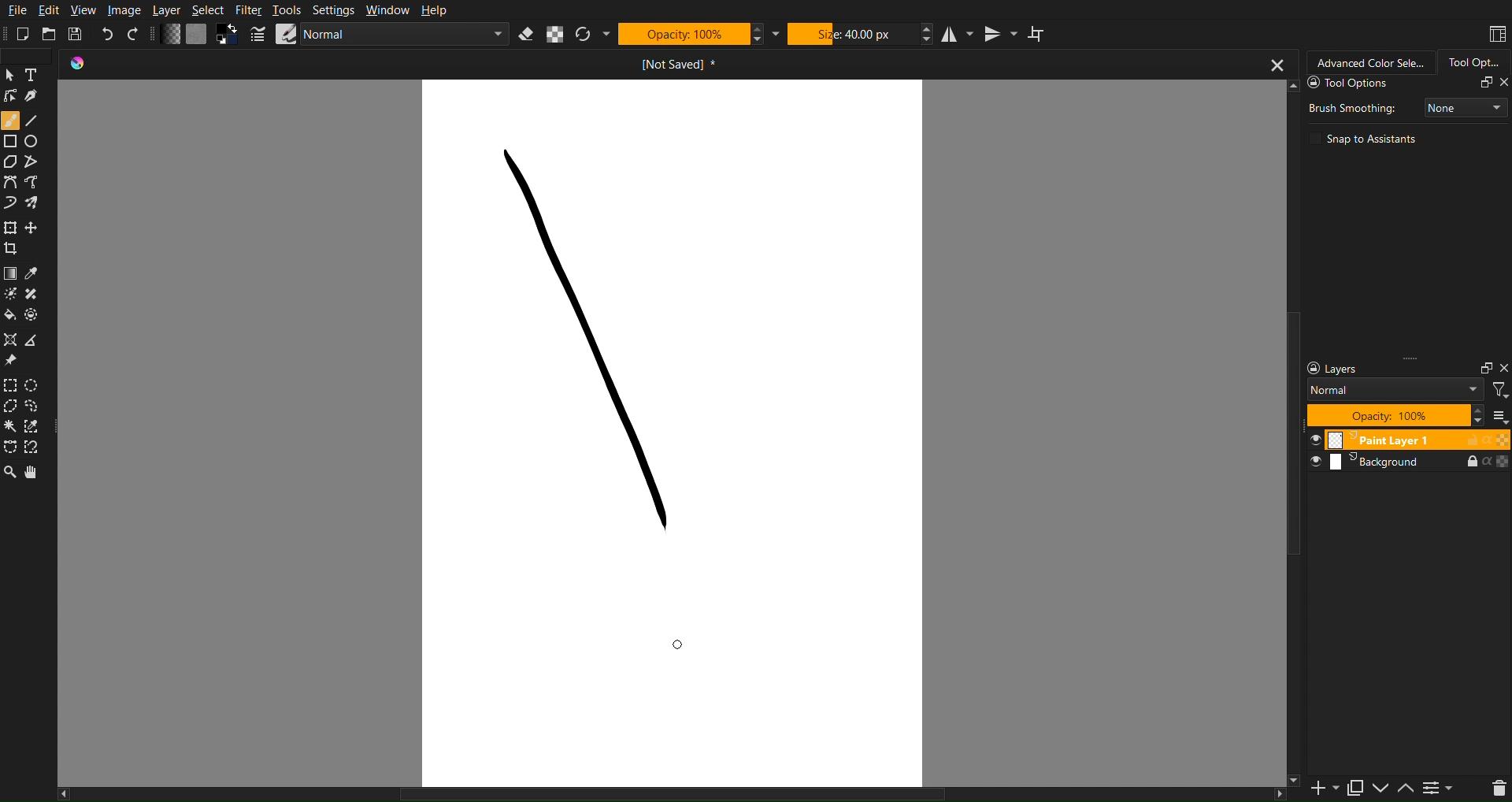 The image size is (1512, 802). What do you see at coordinates (1396, 390) in the screenshot?
I see `Blend Mode` at bounding box center [1396, 390].